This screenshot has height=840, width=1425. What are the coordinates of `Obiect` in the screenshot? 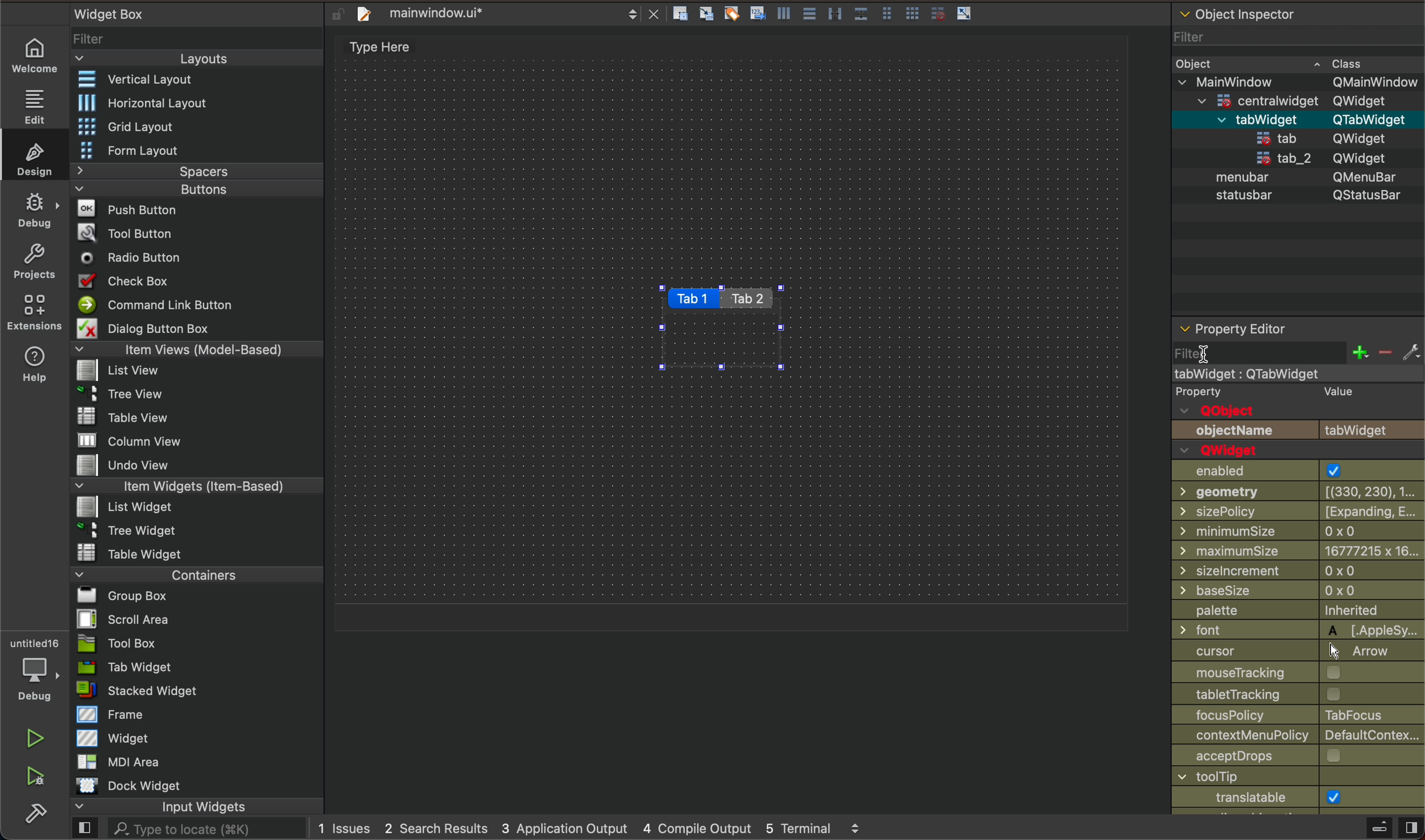 It's located at (1194, 61).